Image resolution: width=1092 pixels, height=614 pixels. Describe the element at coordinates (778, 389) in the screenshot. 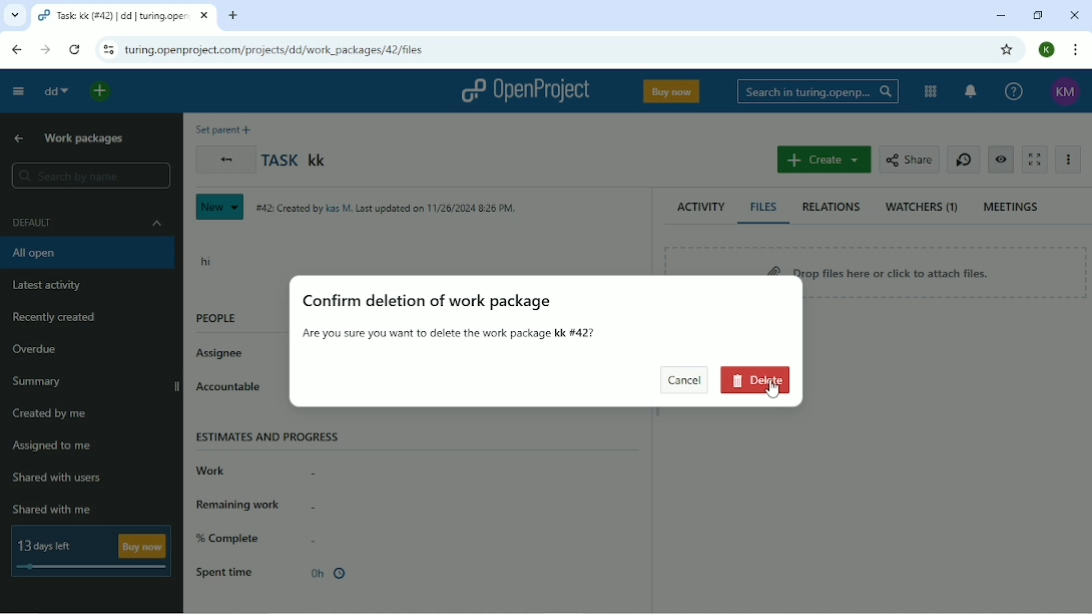

I see `cursor` at that location.